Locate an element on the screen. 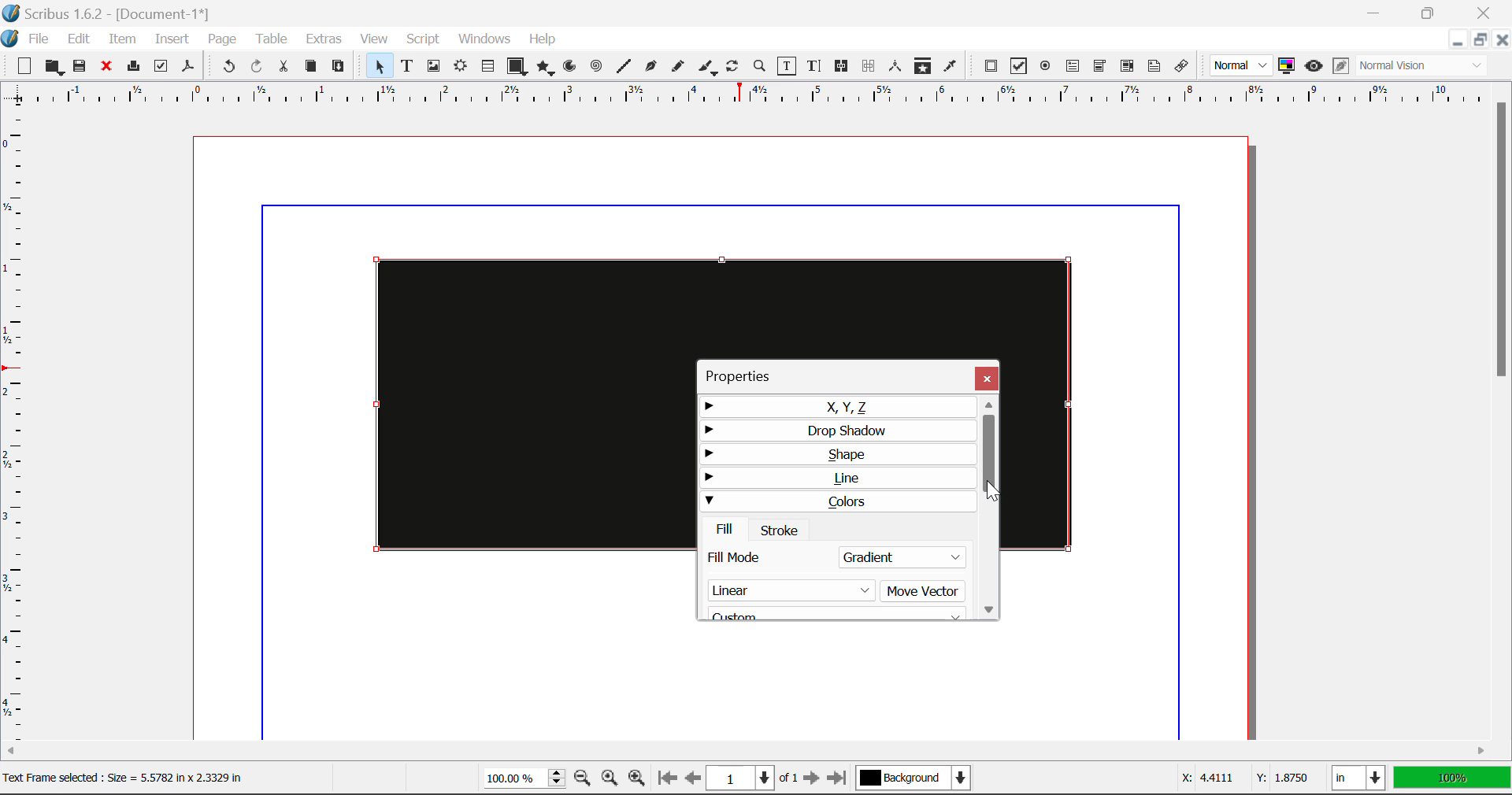 The height and width of the screenshot is (795, 1512). Preview Mode is located at coordinates (1314, 66).